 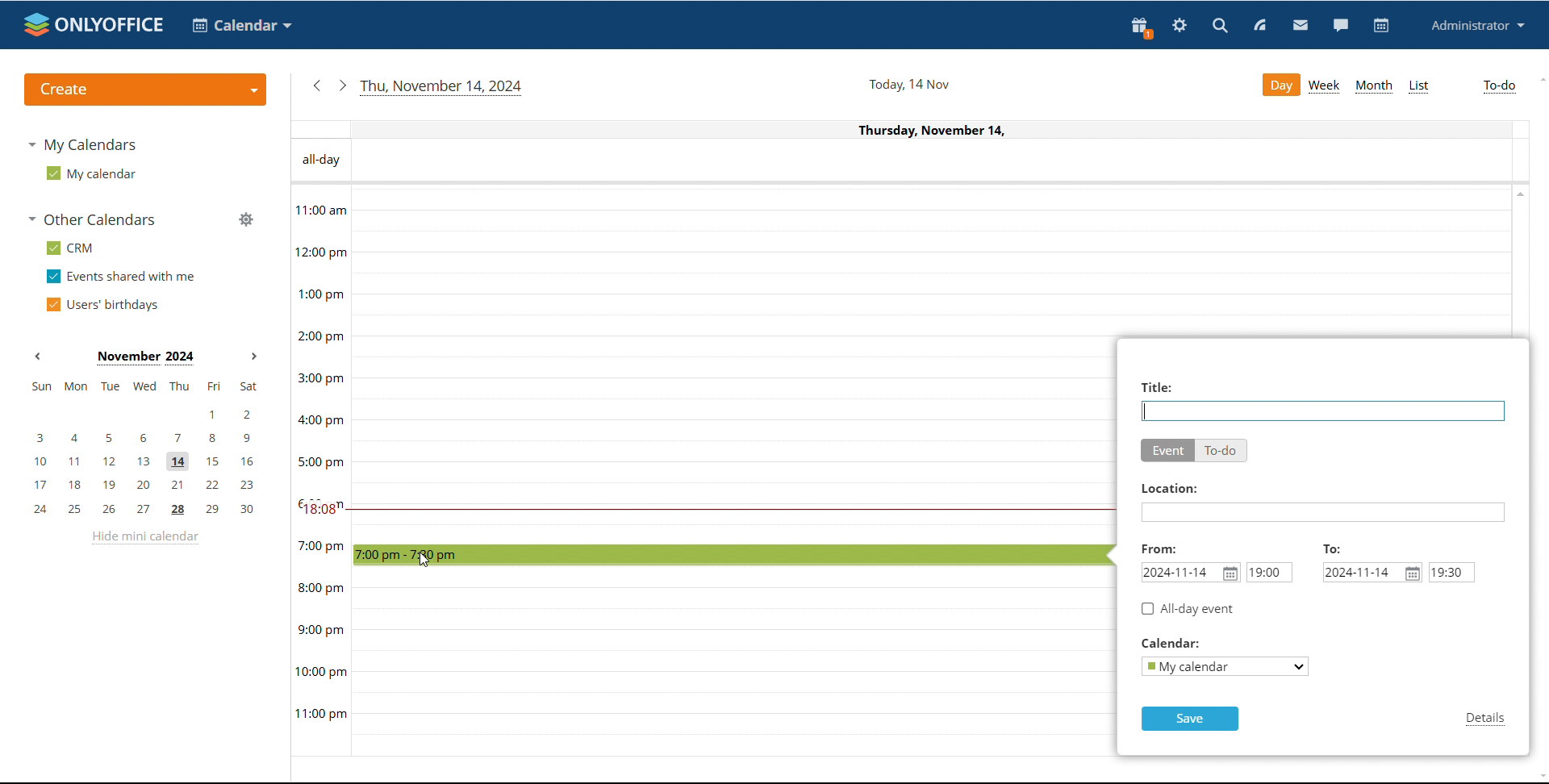 What do you see at coordinates (909, 130) in the screenshot?
I see `Current date` at bounding box center [909, 130].